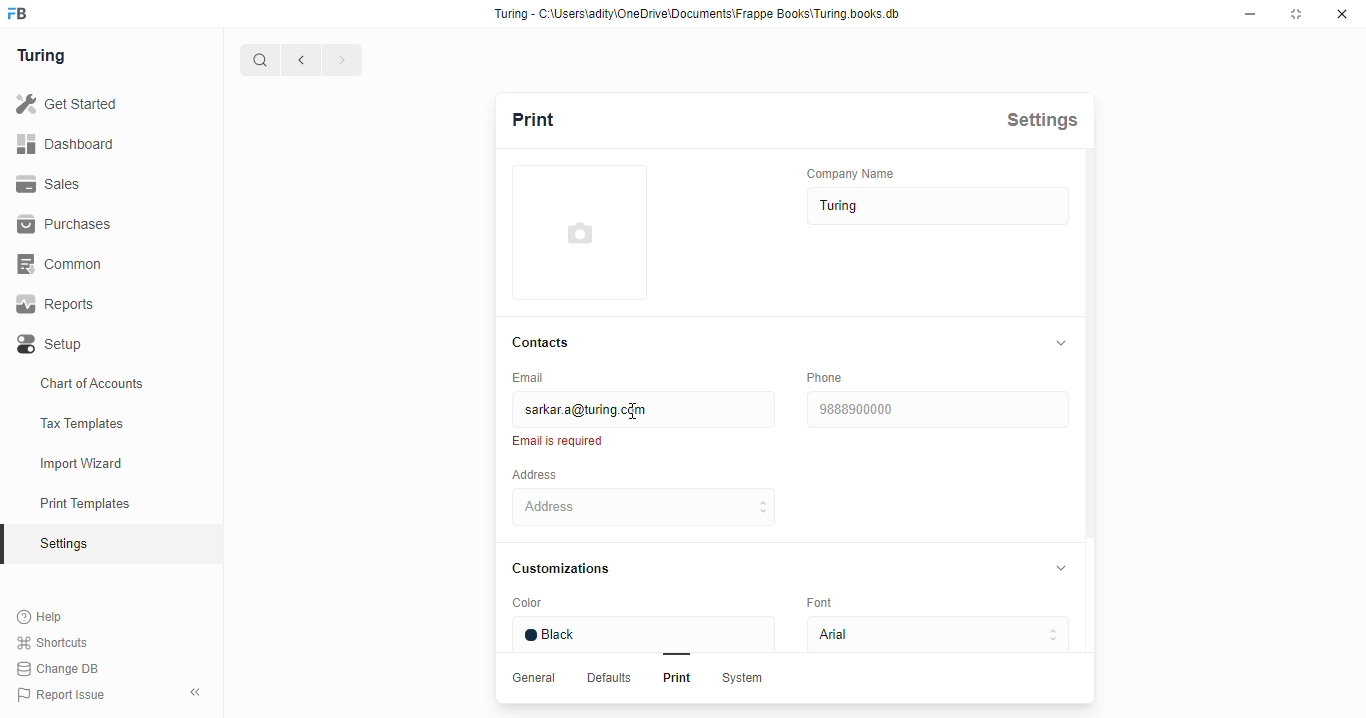 This screenshot has height=718, width=1366. I want to click on Print, so click(673, 680).